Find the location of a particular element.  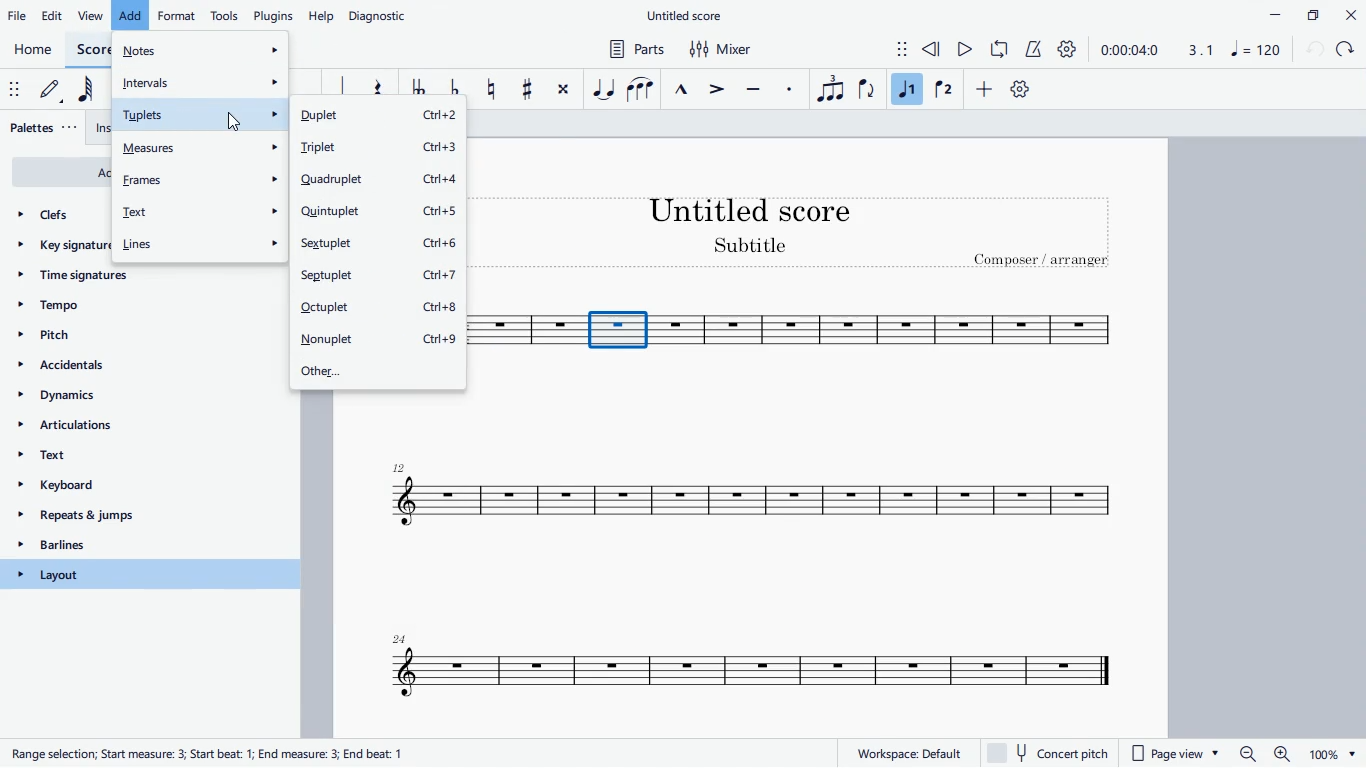

plugins is located at coordinates (274, 16).